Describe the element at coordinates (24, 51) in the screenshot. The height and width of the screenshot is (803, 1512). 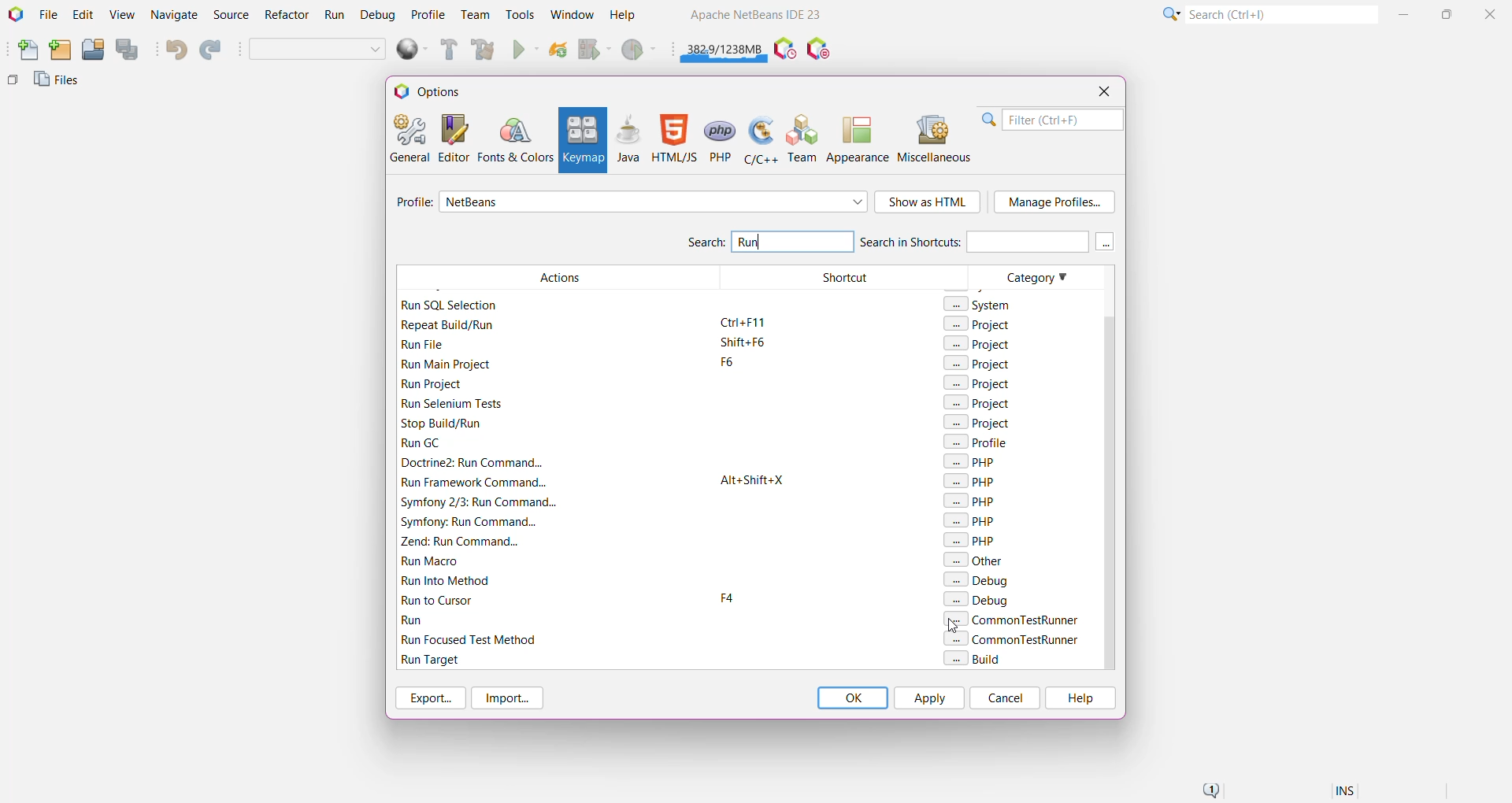
I see `New File` at that location.